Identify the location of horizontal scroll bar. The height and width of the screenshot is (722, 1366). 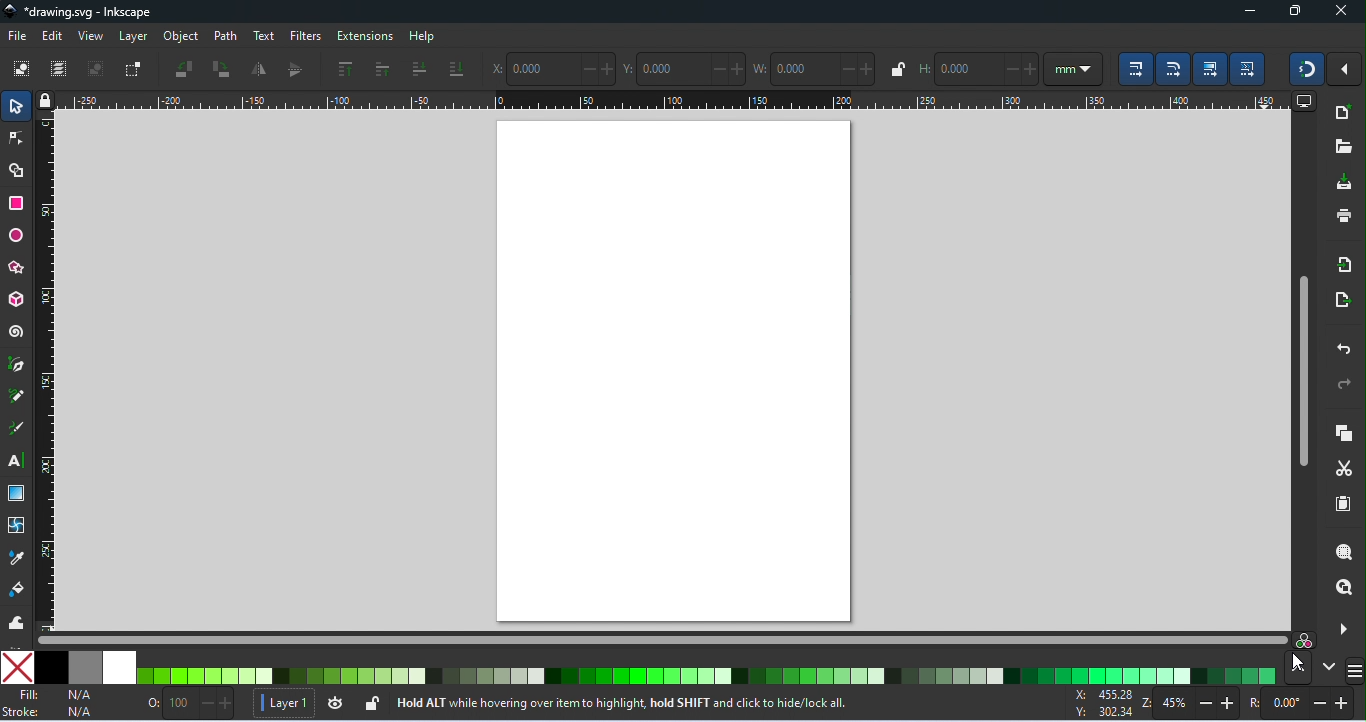
(657, 641).